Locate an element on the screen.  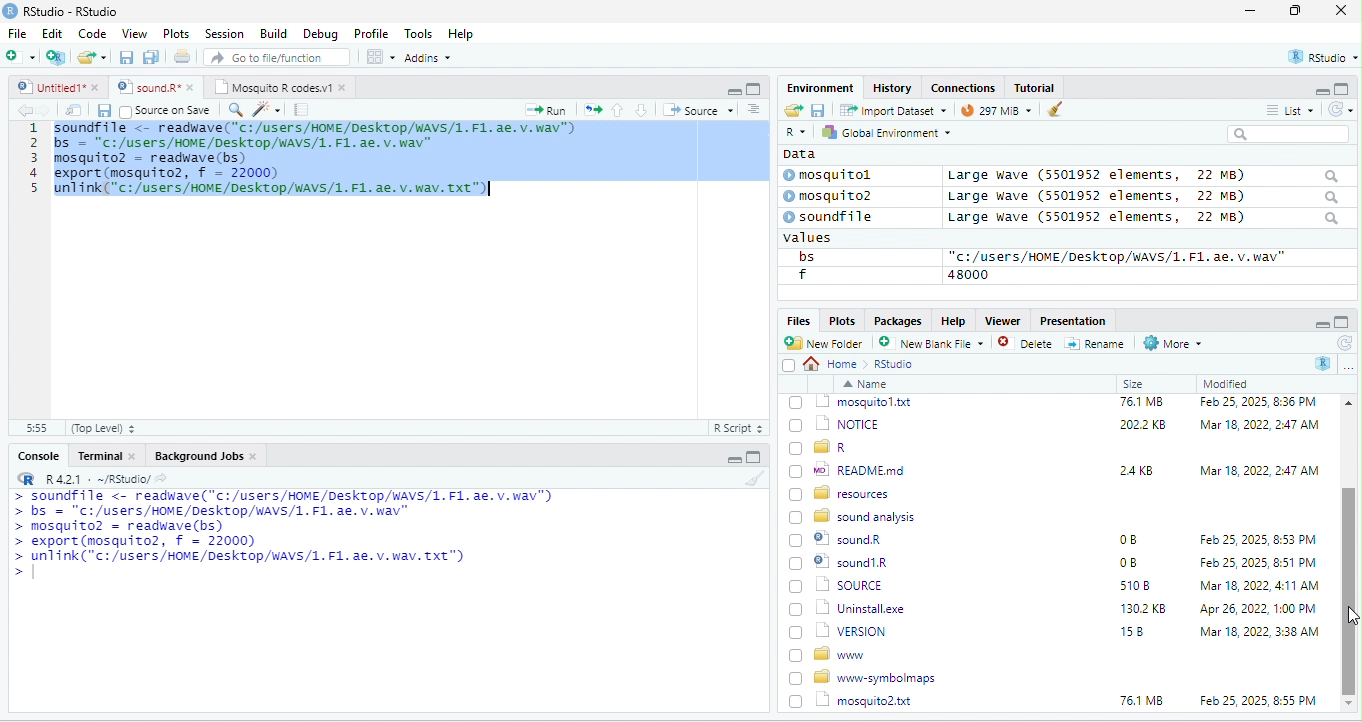
Ld bin is located at coordinates (825, 450).